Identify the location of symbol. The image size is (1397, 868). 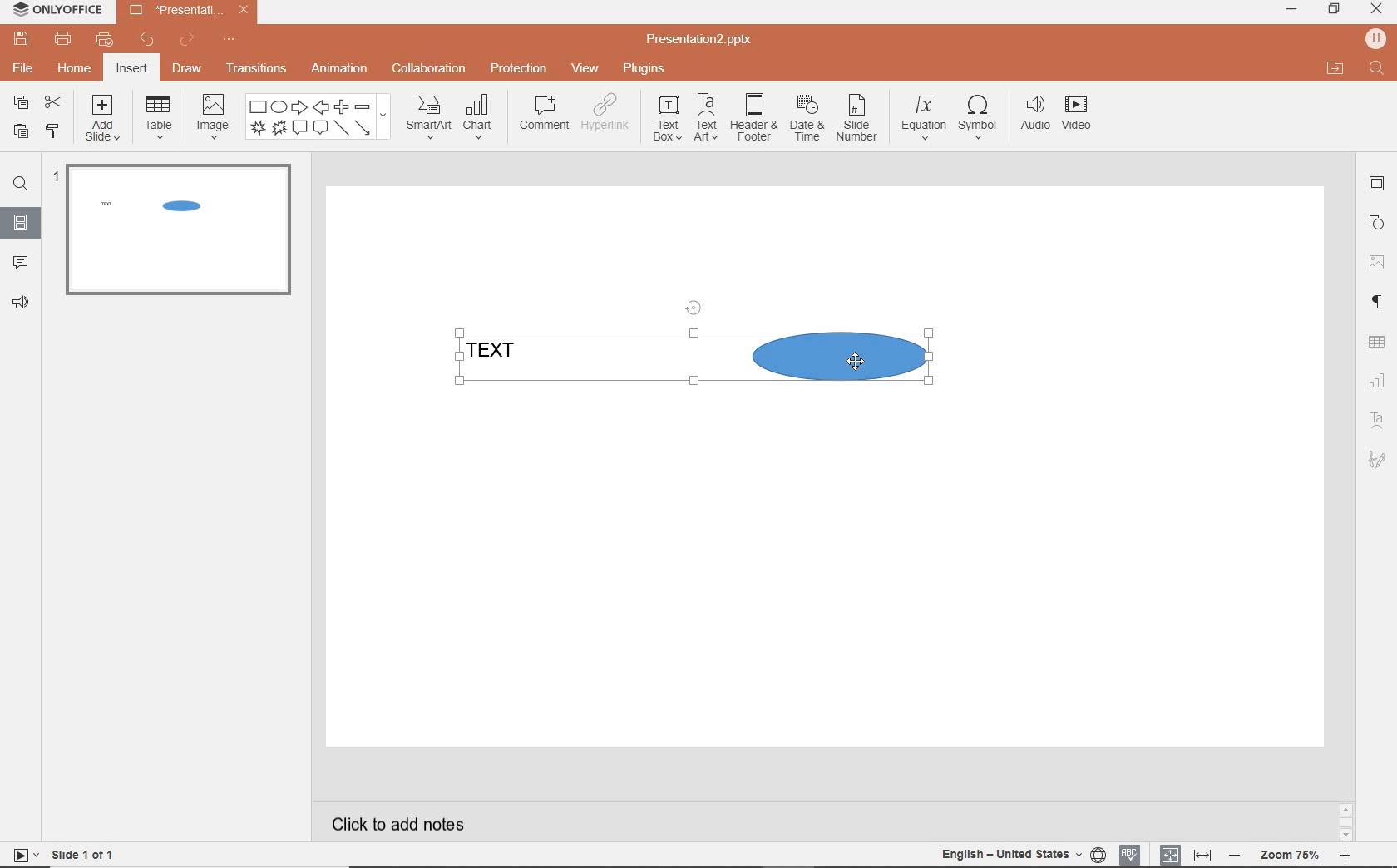
(975, 121).